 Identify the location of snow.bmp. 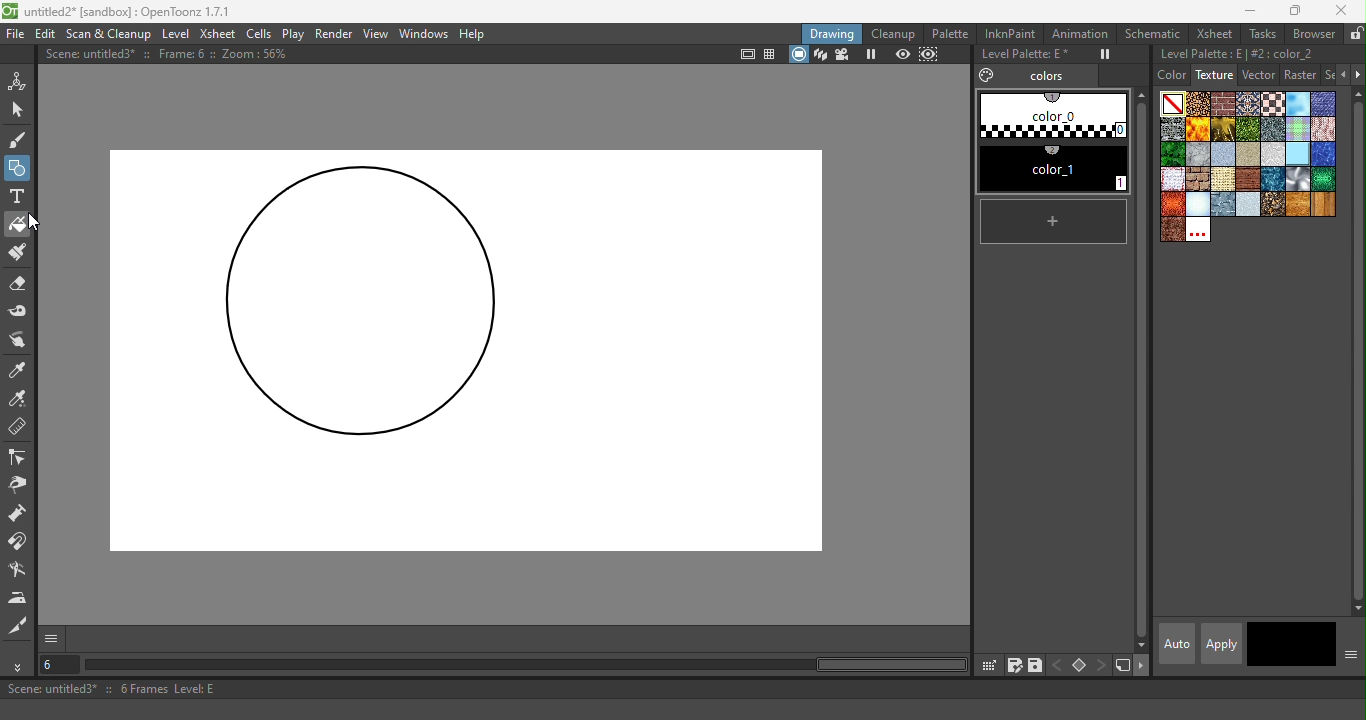
(1199, 204).